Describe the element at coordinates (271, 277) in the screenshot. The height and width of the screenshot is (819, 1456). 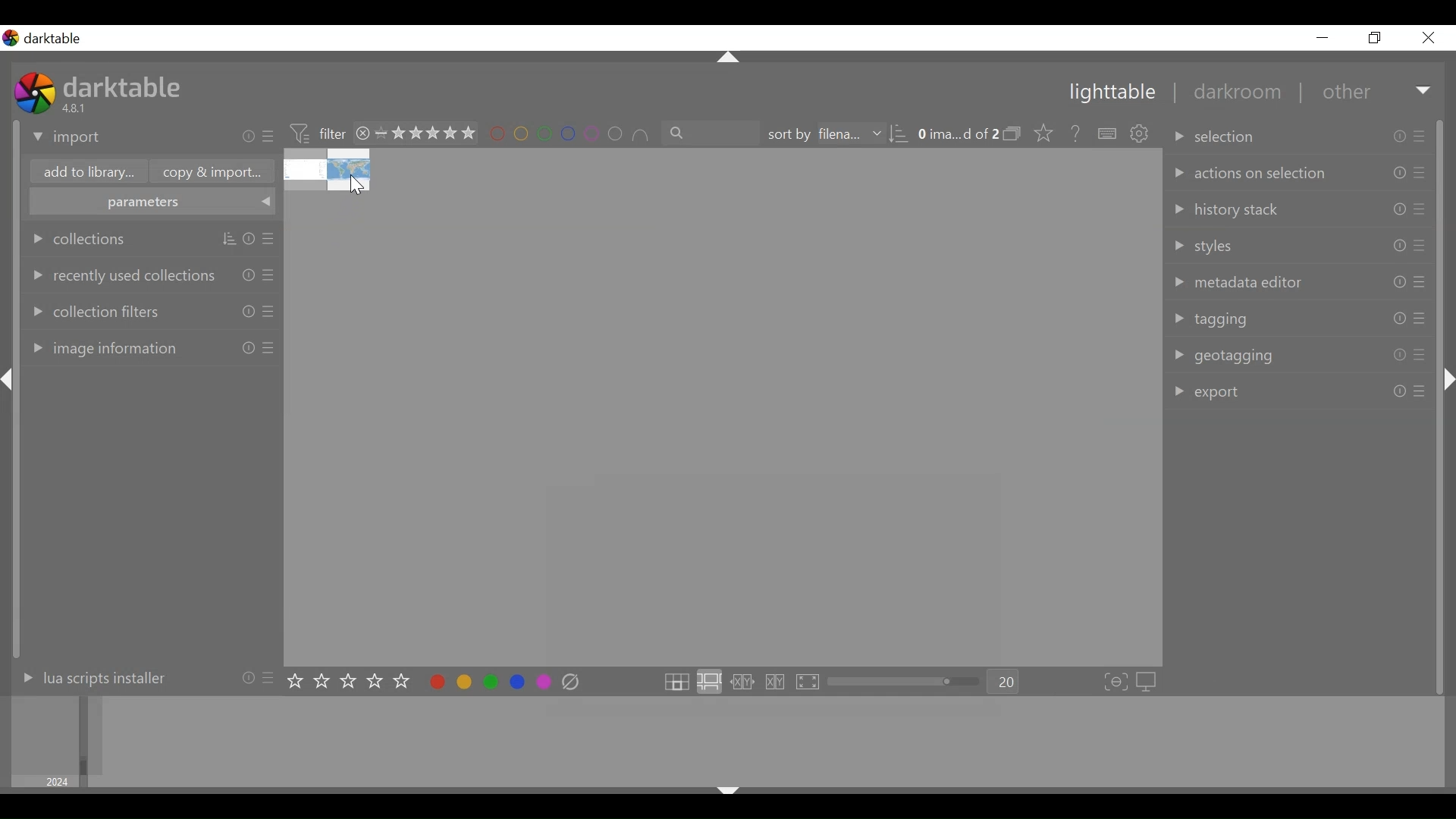
I see `` at that location.